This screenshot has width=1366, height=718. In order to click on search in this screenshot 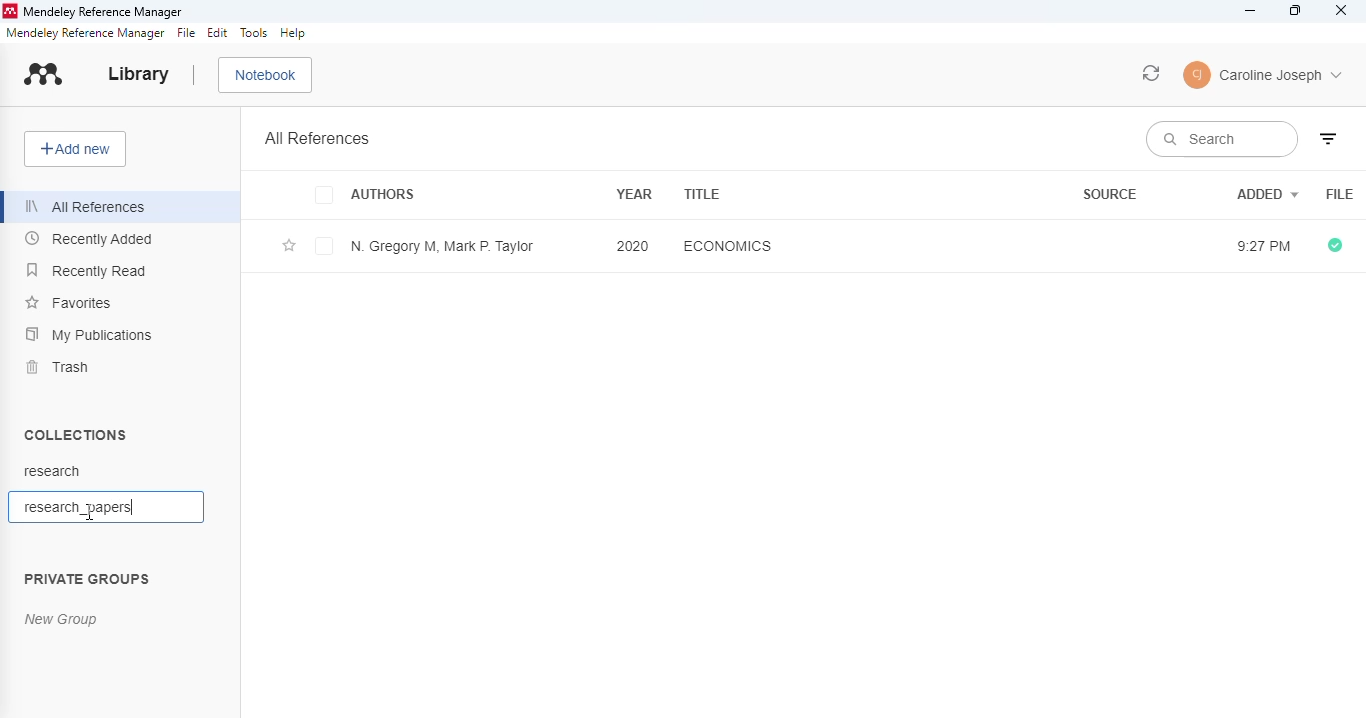, I will do `click(1221, 139)`.